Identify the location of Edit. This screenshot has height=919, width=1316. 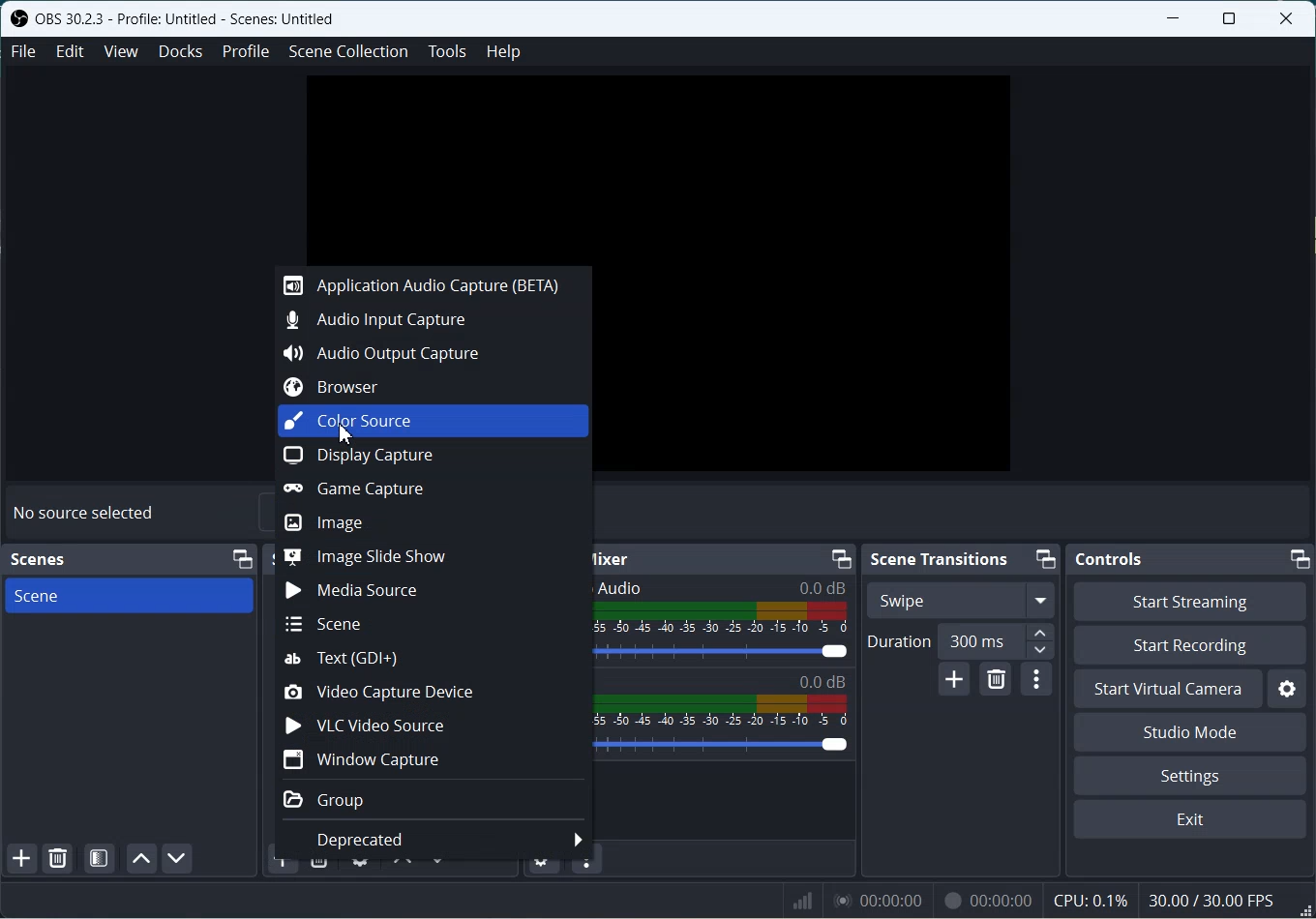
(70, 50).